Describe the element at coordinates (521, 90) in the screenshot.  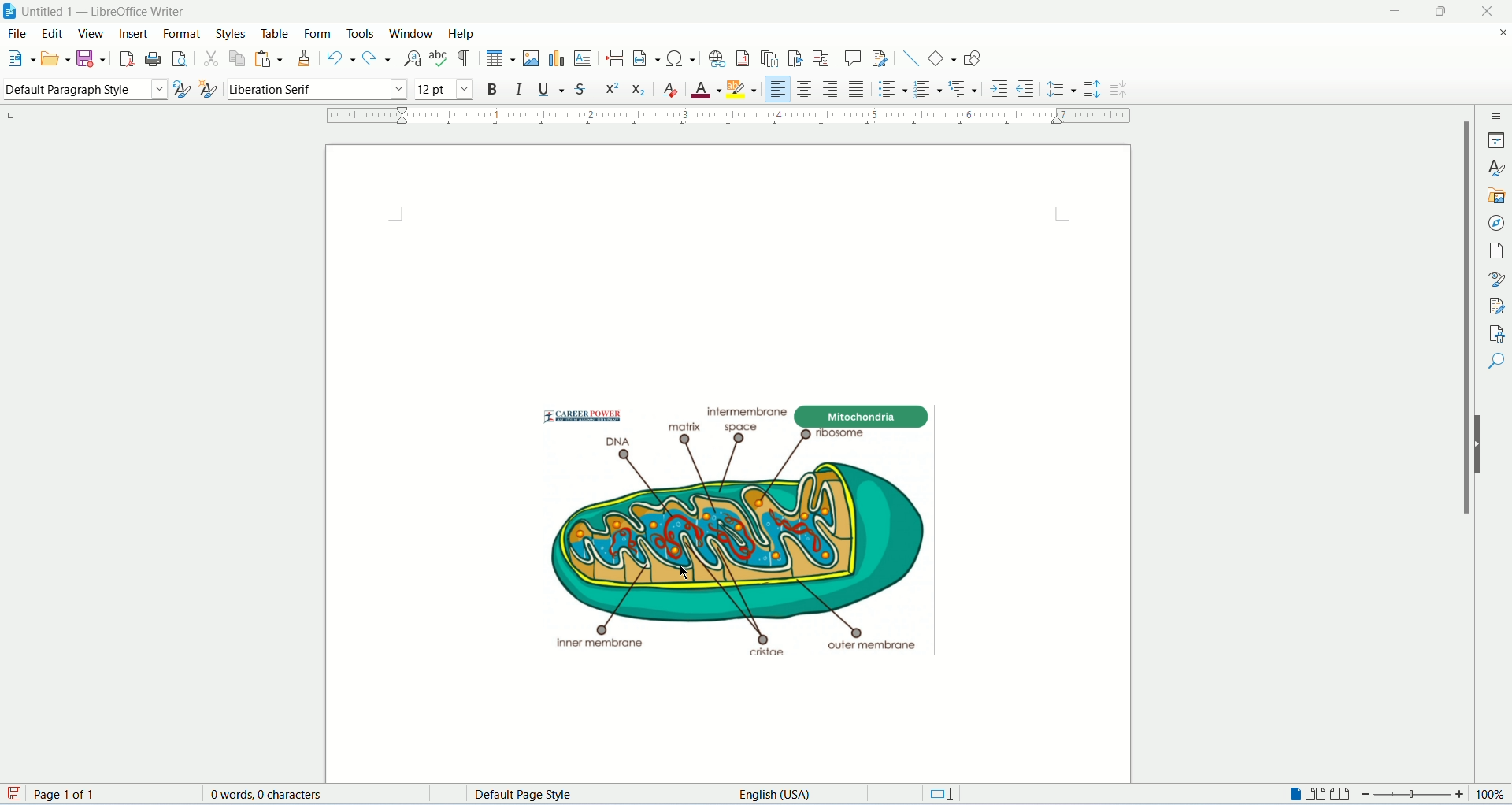
I see `italic` at that location.